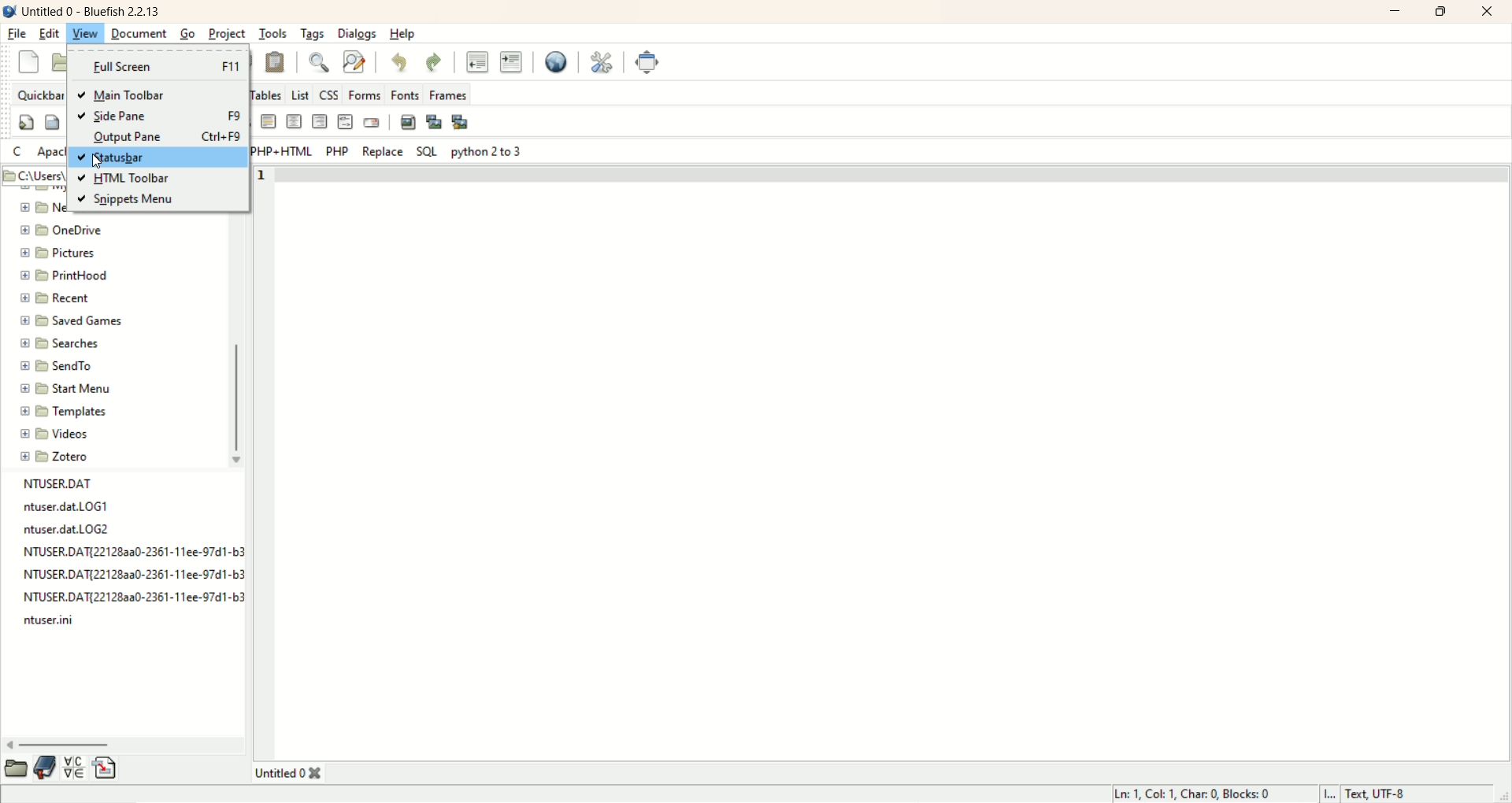 The image size is (1512, 803). Describe the element at coordinates (465, 122) in the screenshot. I see `multi-thumbnail` at that location.